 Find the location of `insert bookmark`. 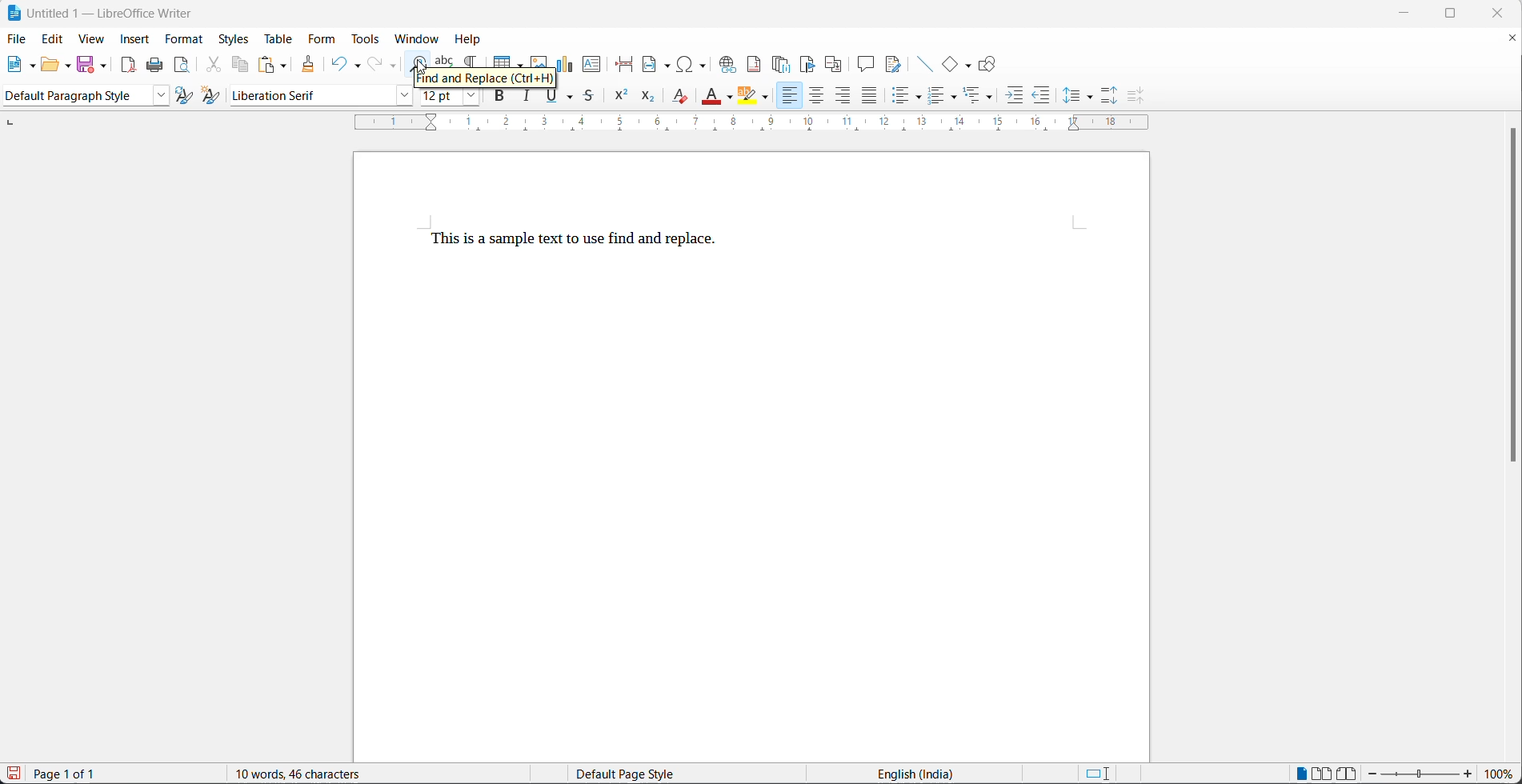

insert bookmark is located at coordinates (811, 64).